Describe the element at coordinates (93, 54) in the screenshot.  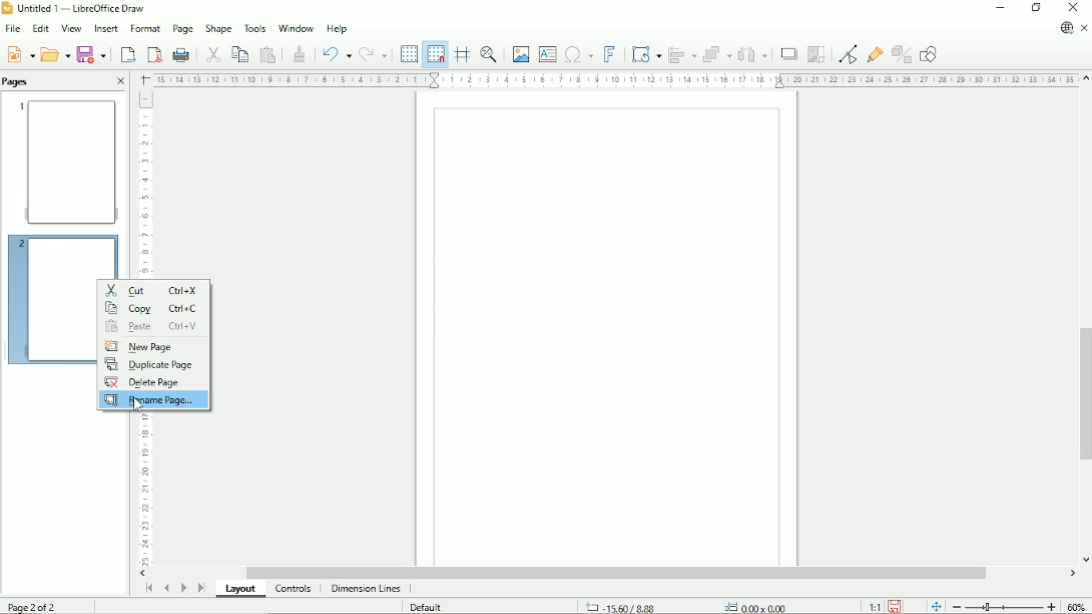
I see `Save` at that location.